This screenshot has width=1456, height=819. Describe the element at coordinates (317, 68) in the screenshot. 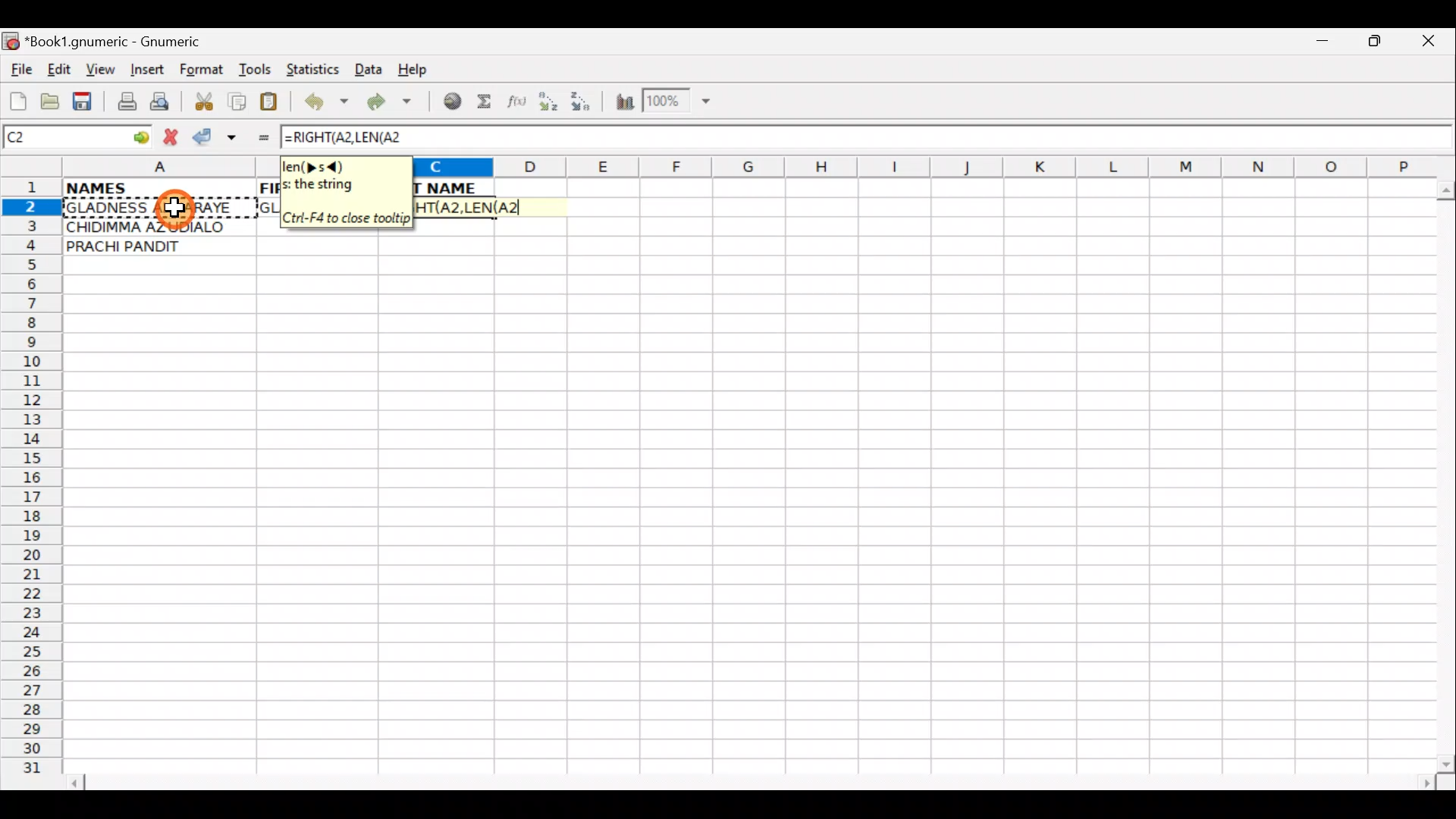

I see `Statistics` at that location.